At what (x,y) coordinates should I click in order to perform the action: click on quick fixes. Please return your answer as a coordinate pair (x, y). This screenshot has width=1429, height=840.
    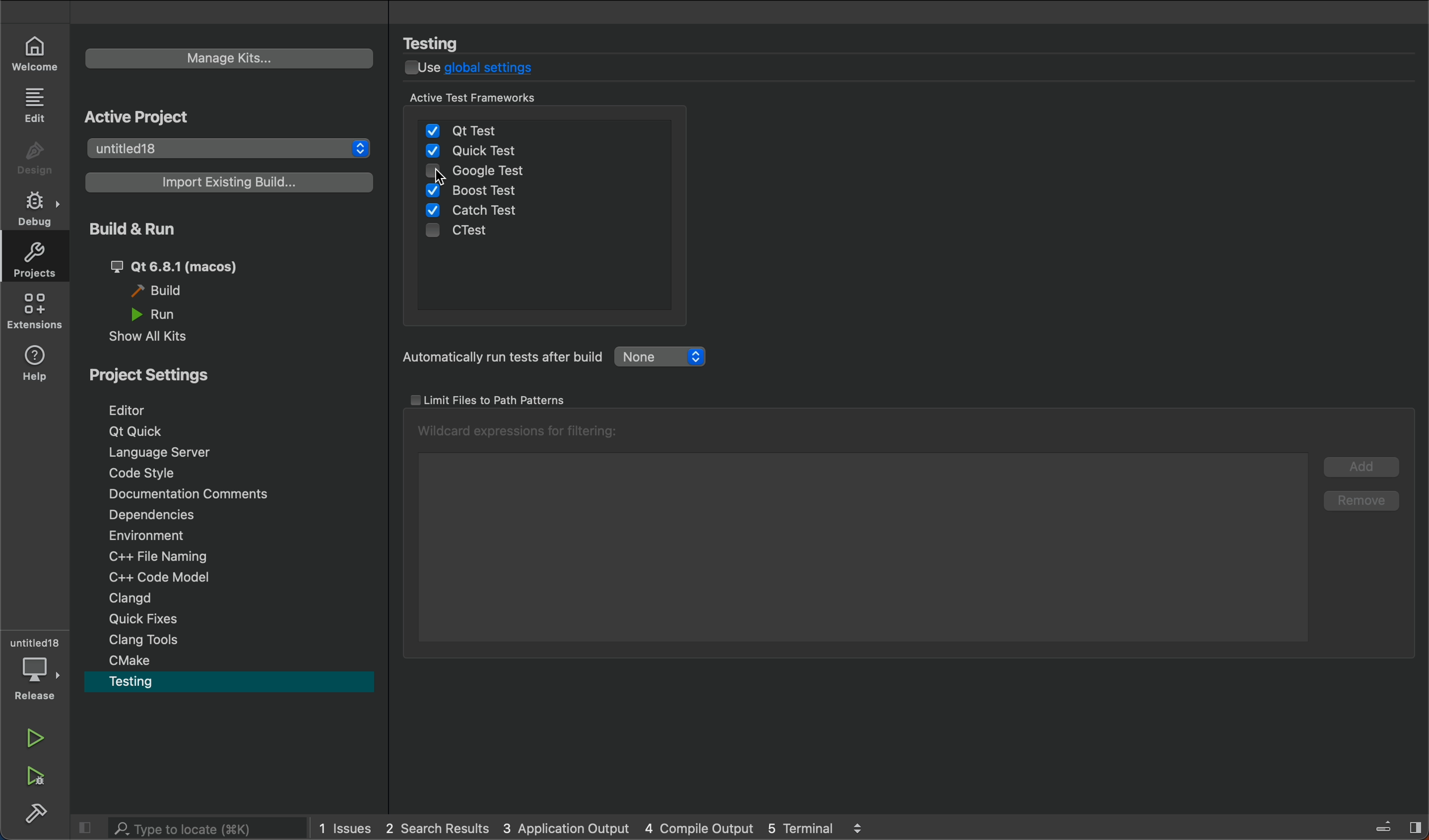
    Looking at the image, I should click on (232, 618).